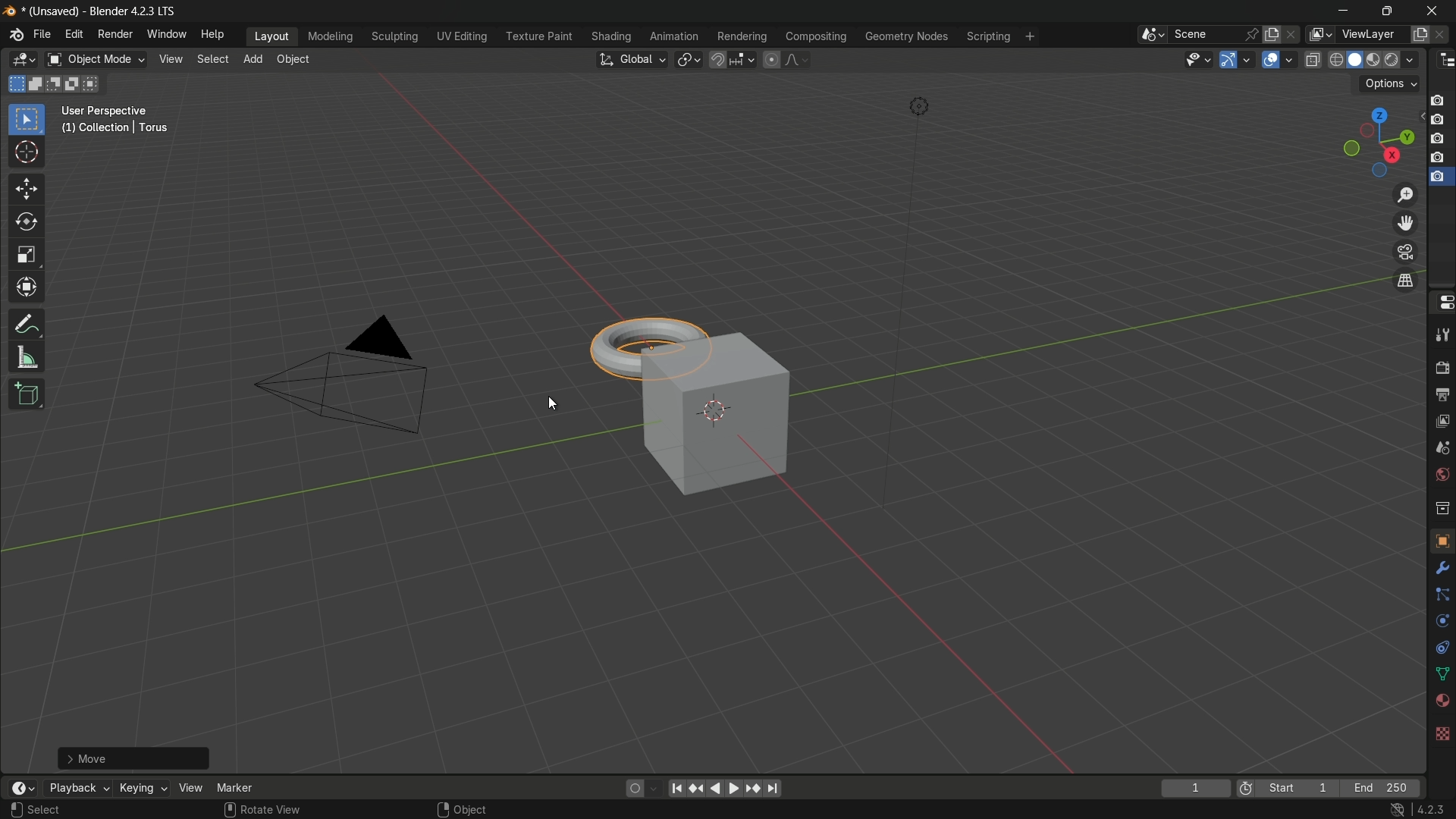  I want to click on rendering, so click(742, 37).